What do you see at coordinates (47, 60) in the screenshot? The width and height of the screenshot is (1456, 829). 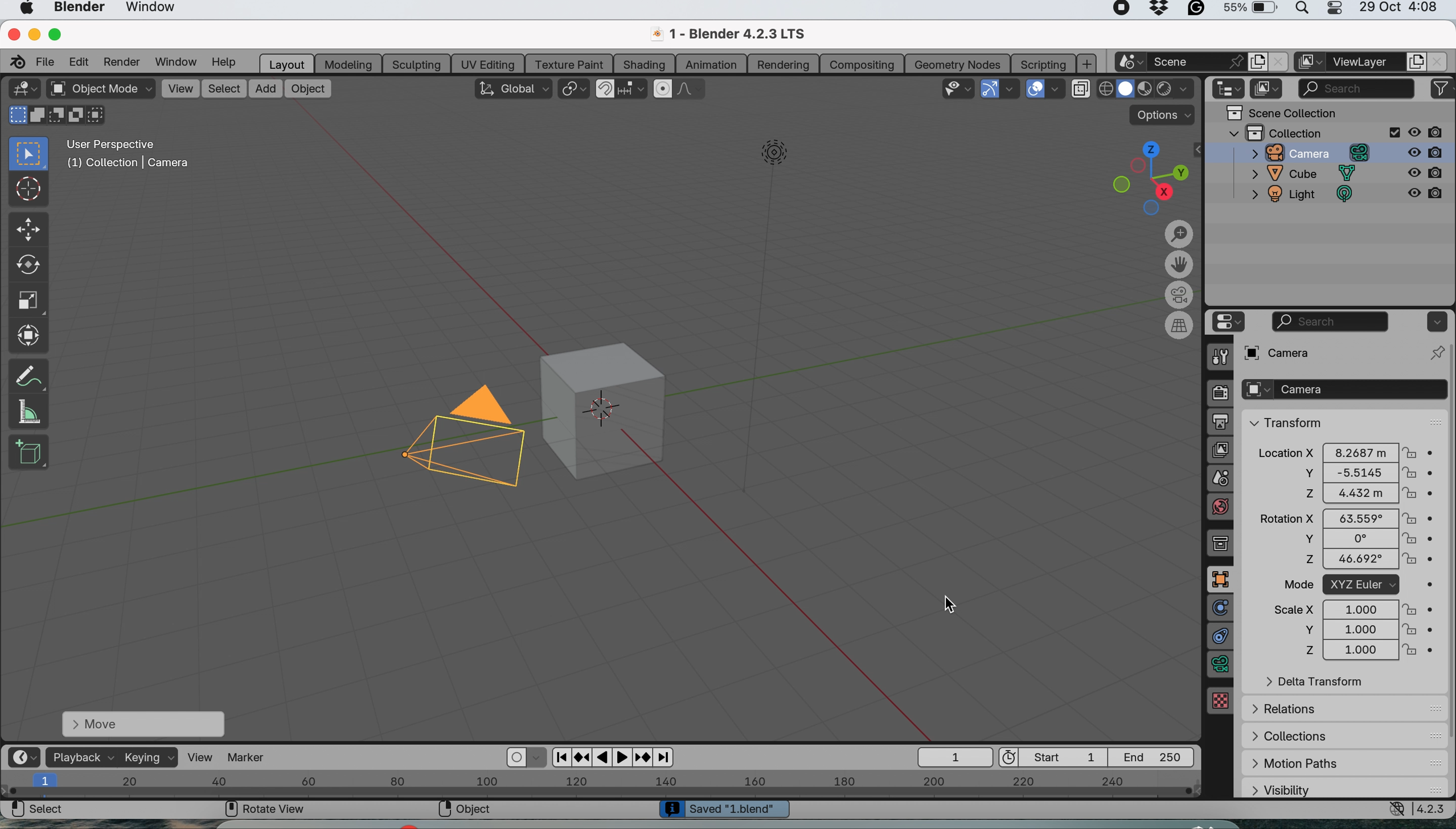 I see `file` at bounding box center [47, 60].